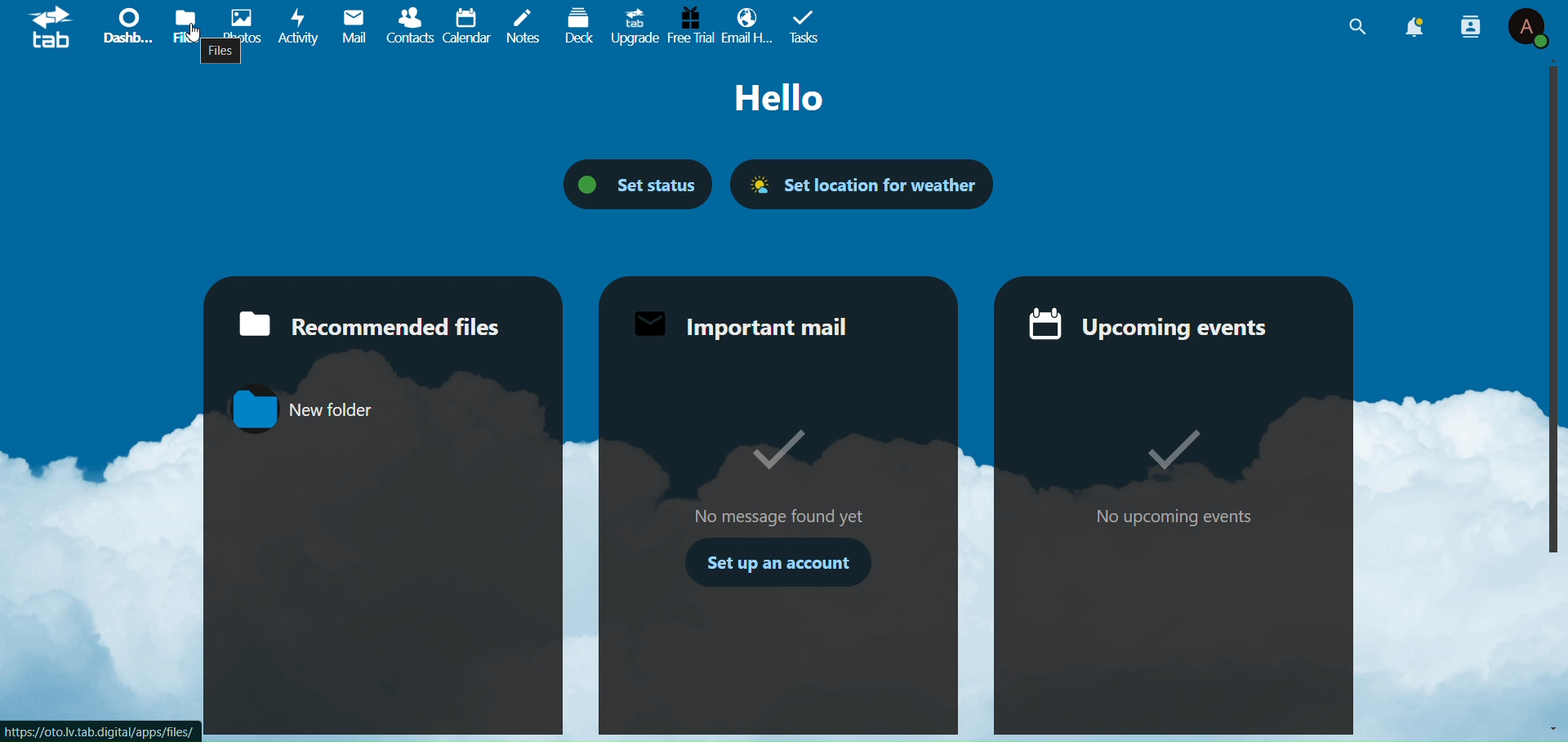 The image size is (1568, 742). What do you see at coordinates (367, 323) in the screenshot?
I see `Recommended Files` at bounding box center [367, 323].